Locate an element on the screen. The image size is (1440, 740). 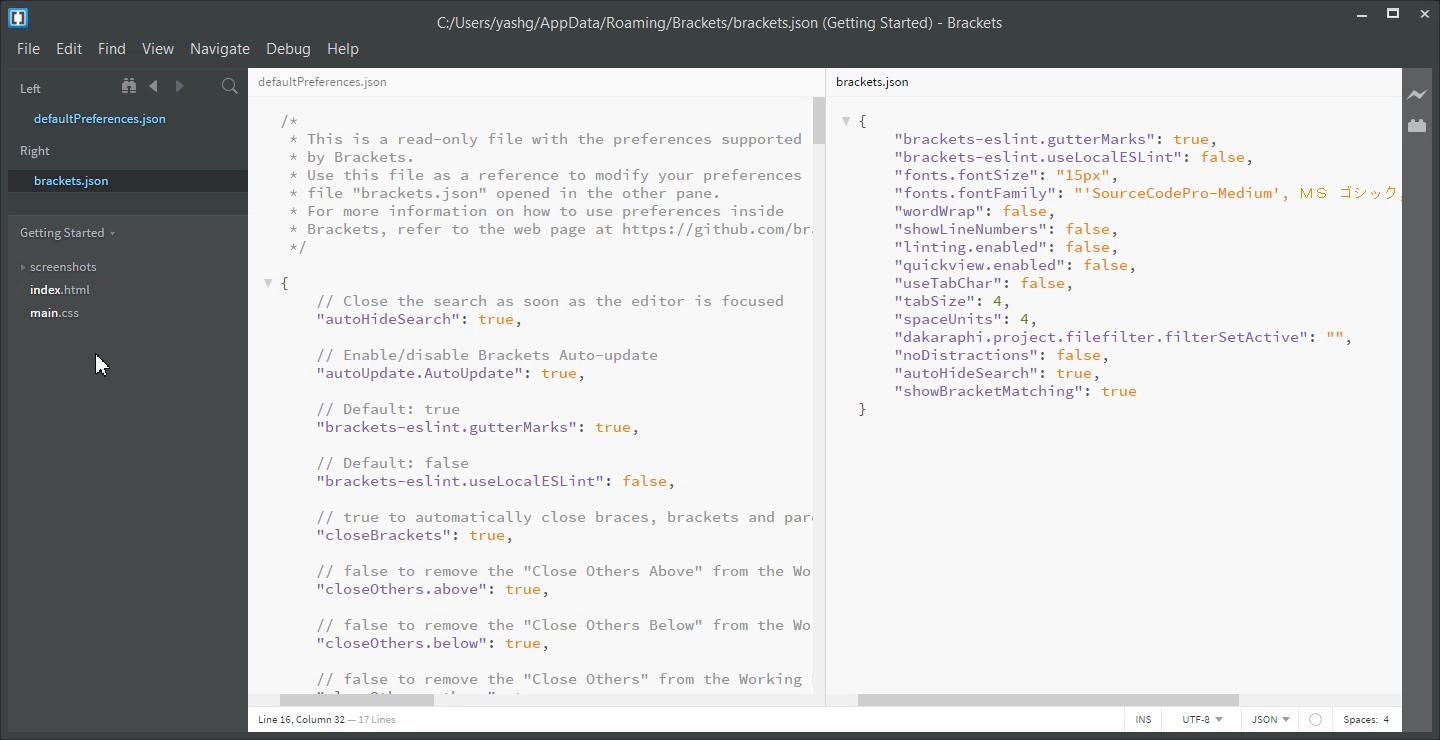
/*

* This is a read-only file with the preferences supported
* by Brackets.

* Use this file as a reference to modify your preferences
* file "brackets.json" opened in the other pane.

* For more information on how to use preferences inside

* Brackets, refer to the web page at https://github.com/br
*/ is located at coordinates (546, 184).